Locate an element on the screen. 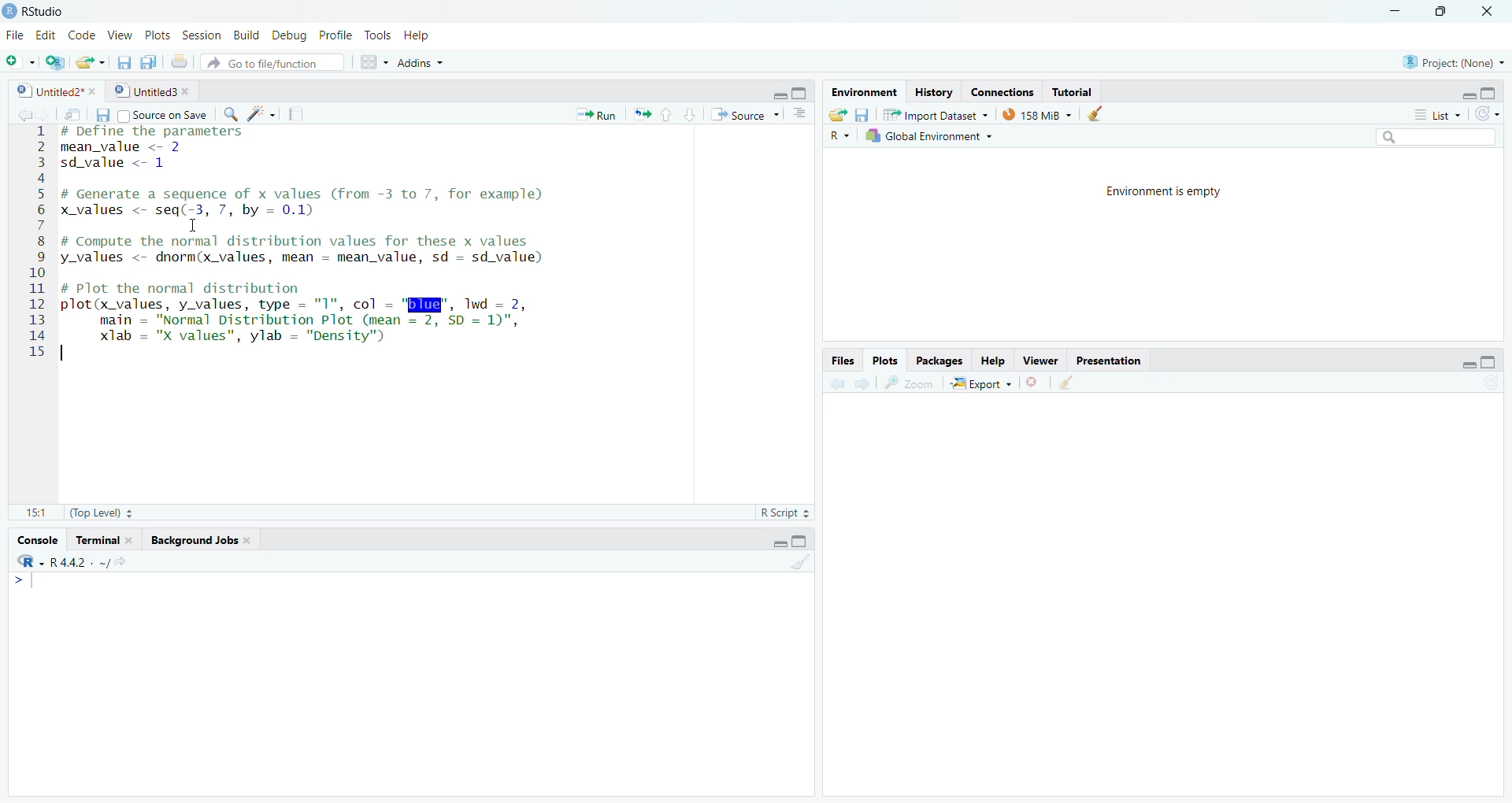   is located at coordinates (372, 60).